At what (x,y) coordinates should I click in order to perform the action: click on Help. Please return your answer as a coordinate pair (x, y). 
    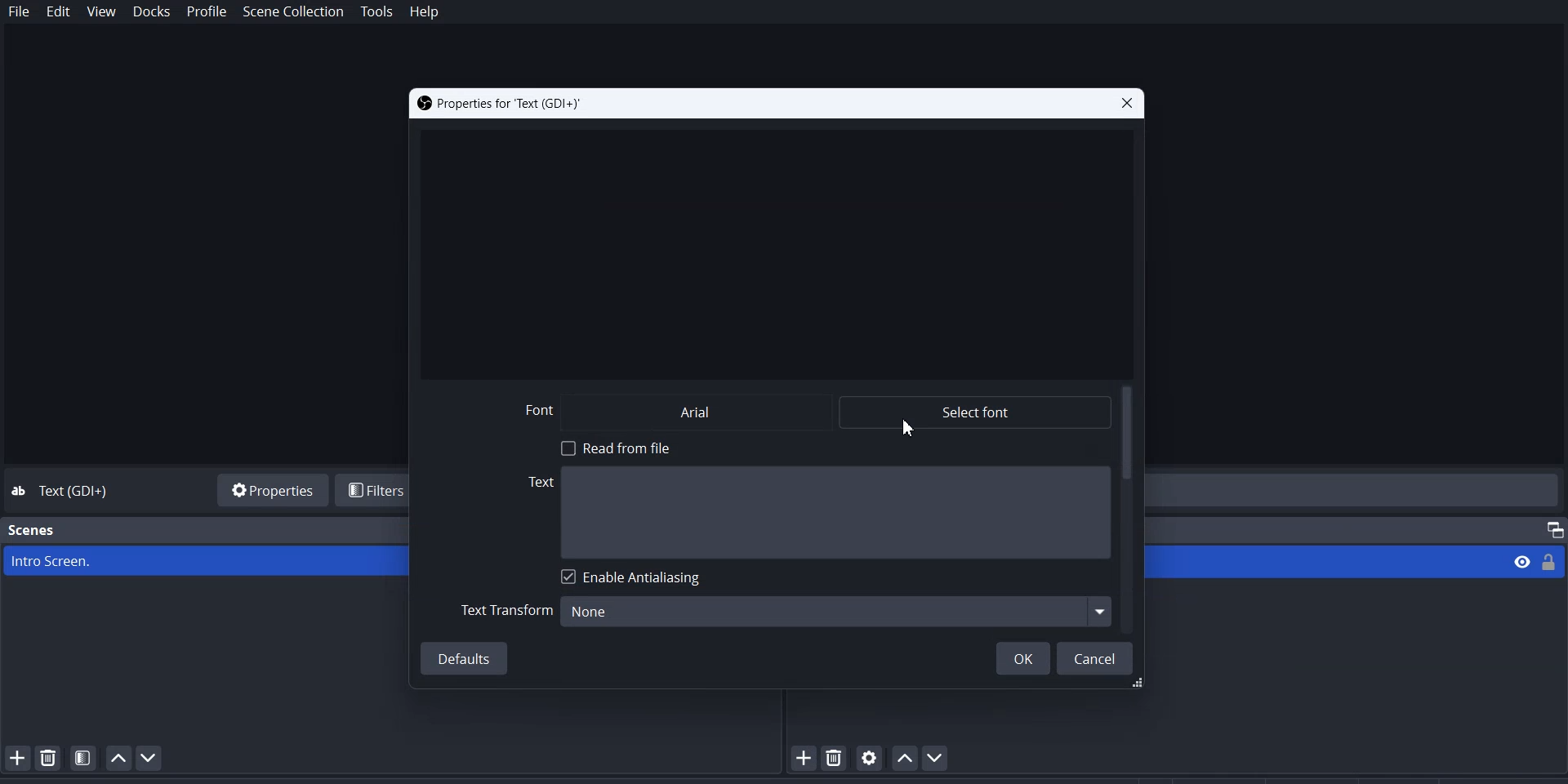
    Looking at the image, I should click on (424, 13).